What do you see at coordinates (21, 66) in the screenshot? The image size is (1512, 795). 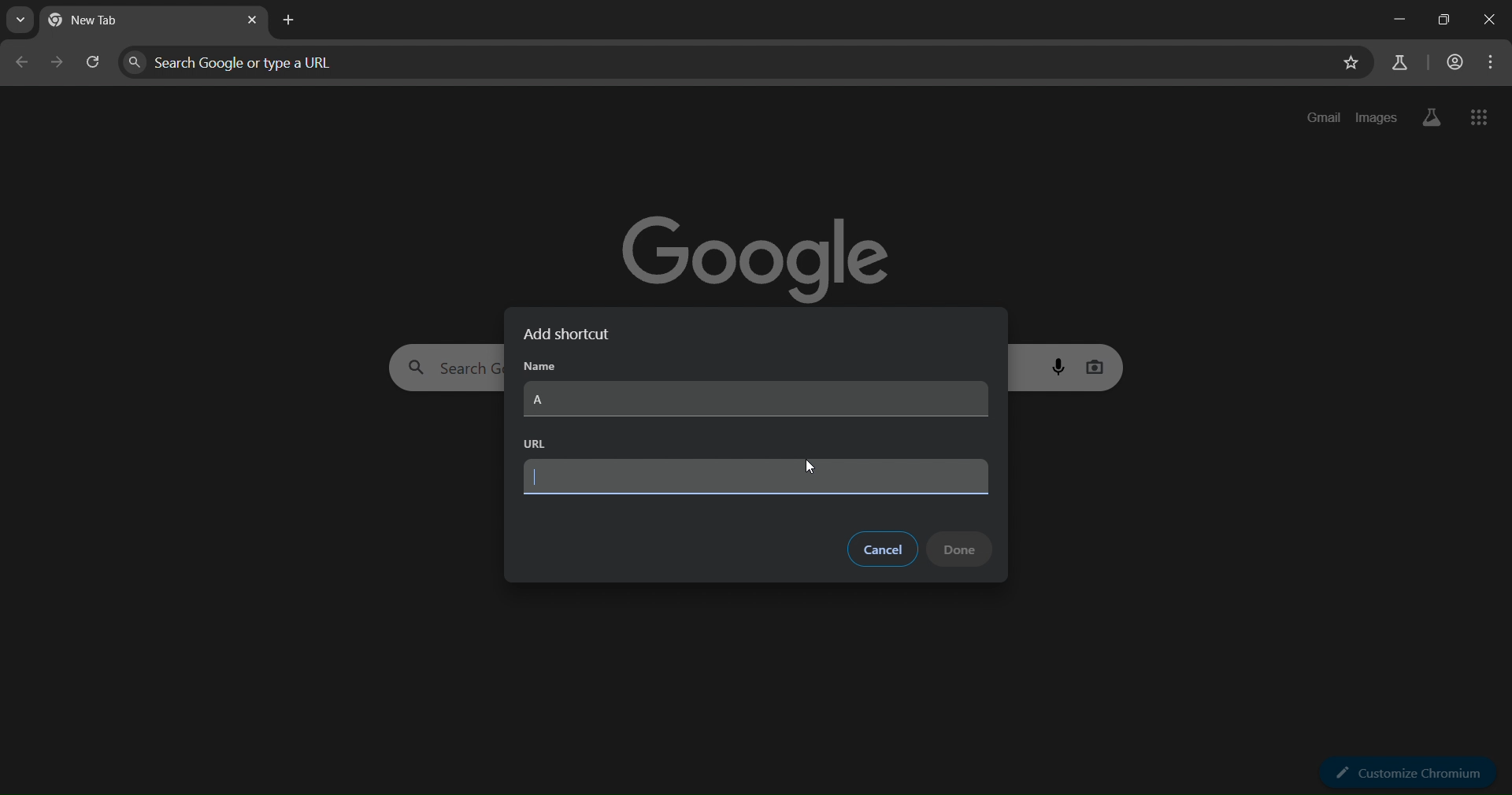 I see `go back one page` at bounding box center [21, 66].